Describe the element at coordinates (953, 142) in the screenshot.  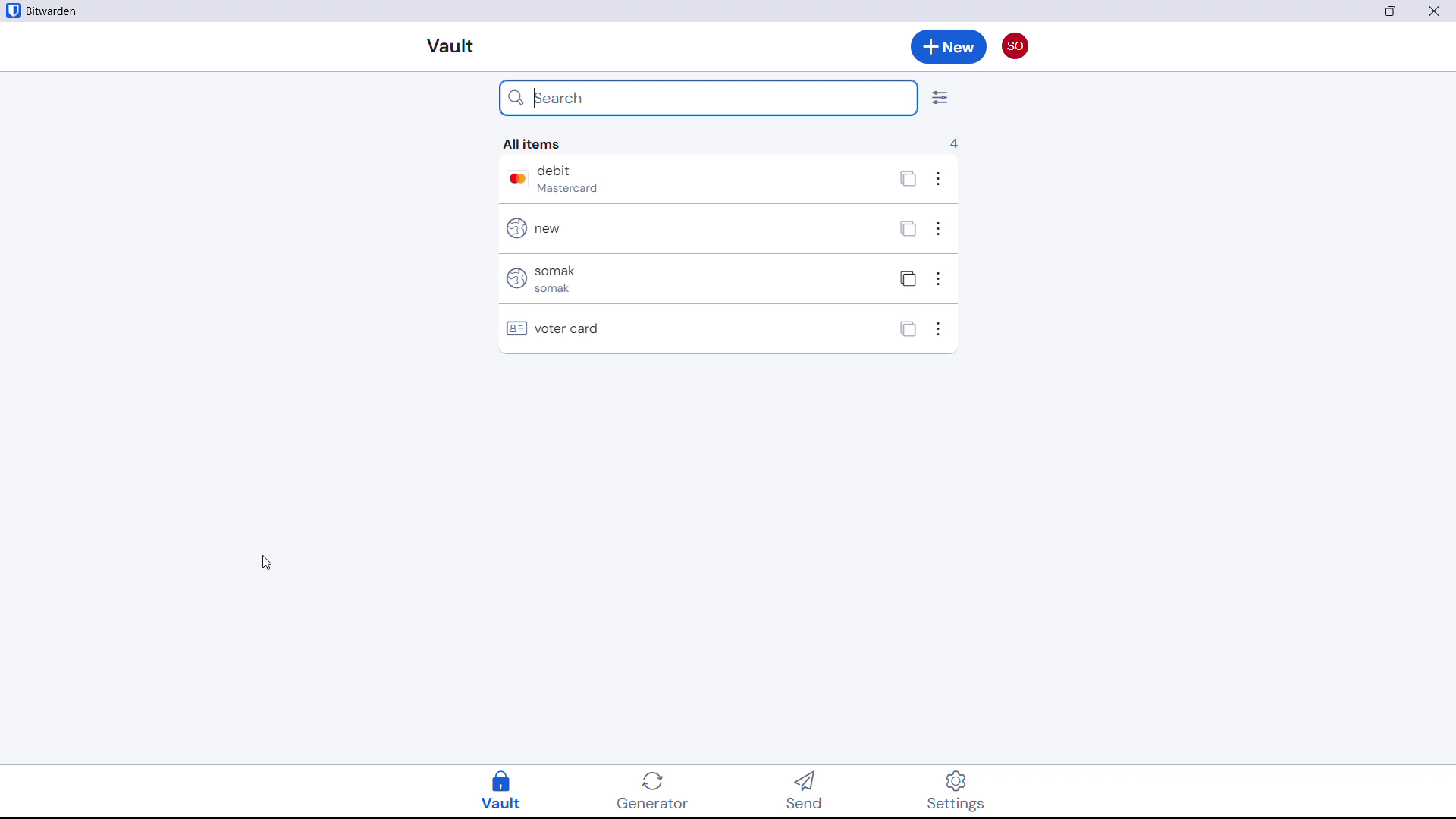
I see `Number of entries ` at that location.